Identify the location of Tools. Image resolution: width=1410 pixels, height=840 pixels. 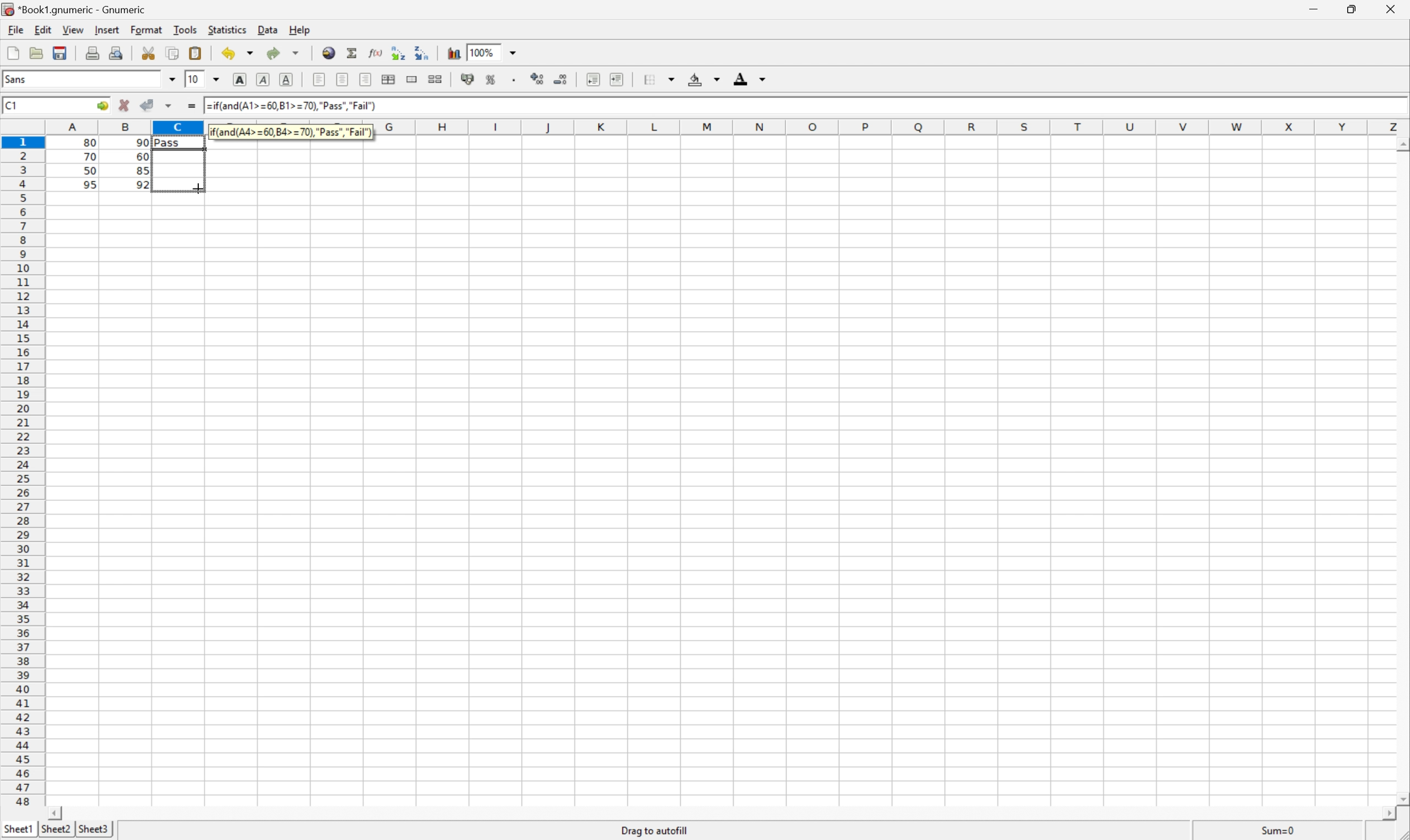
(184, 29).